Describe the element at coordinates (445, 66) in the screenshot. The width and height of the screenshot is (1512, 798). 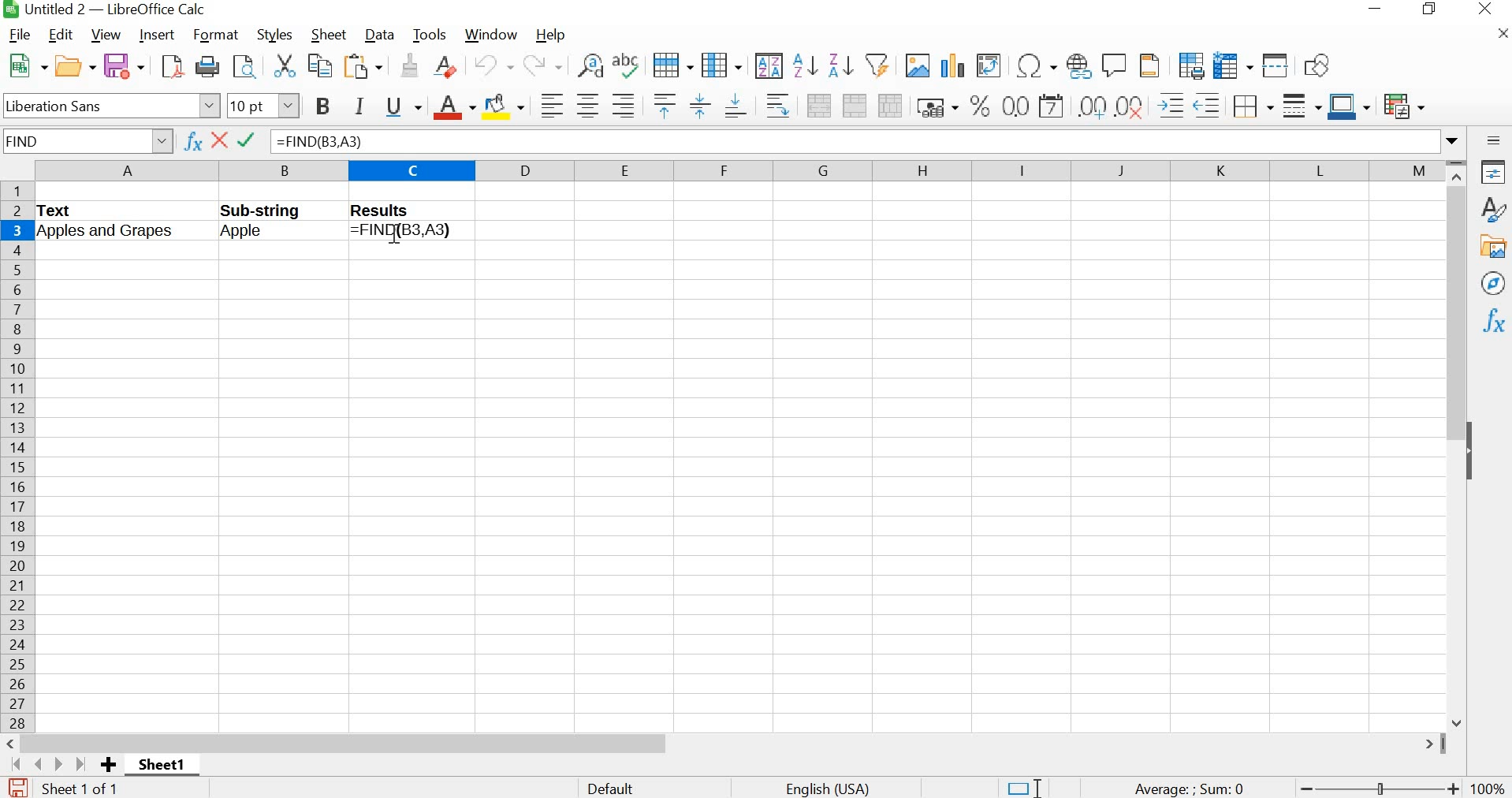
I see `clear direct formatting` at that location.